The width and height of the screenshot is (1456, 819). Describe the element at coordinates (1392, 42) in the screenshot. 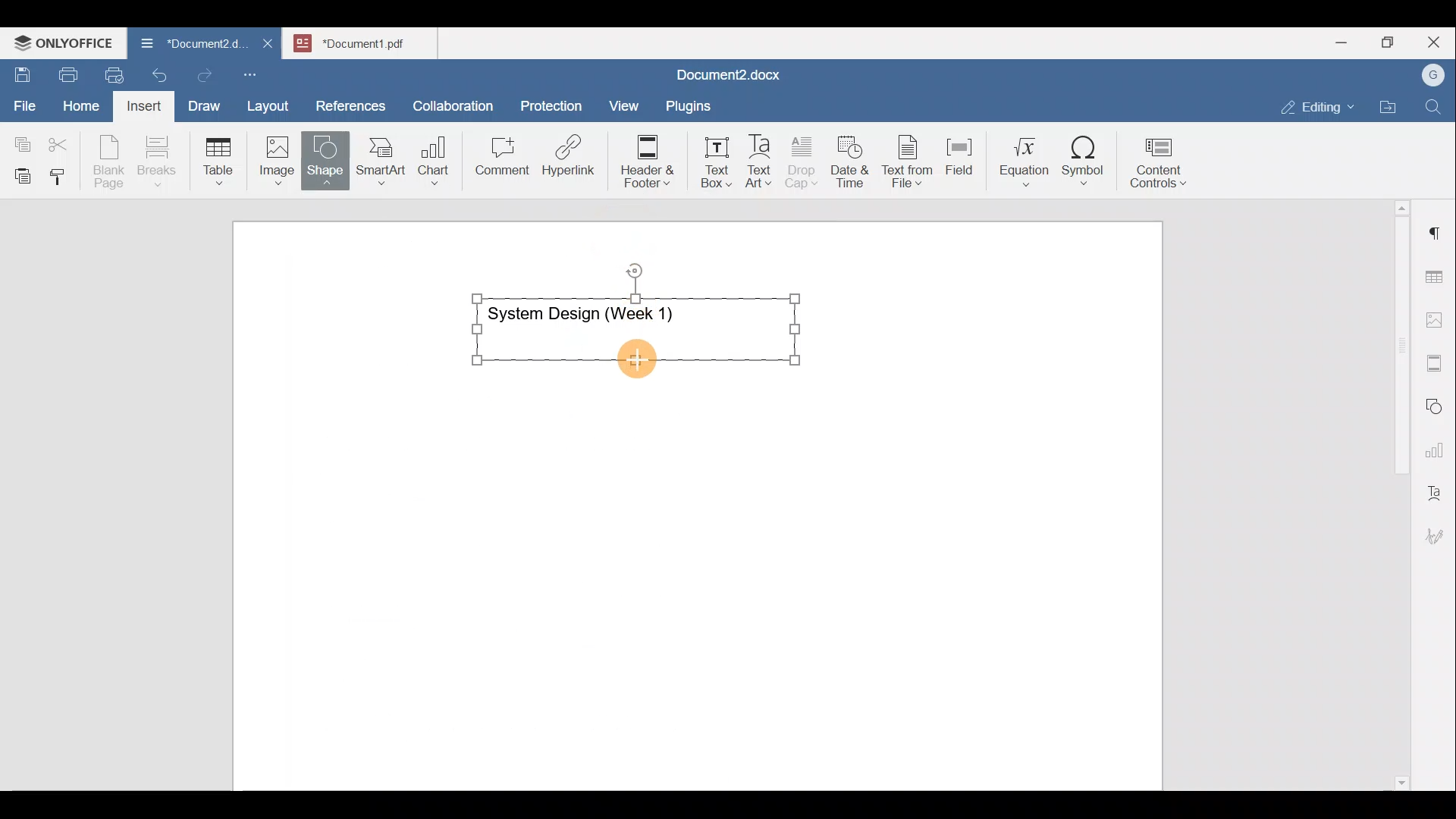

I see `Maximize` at that location.